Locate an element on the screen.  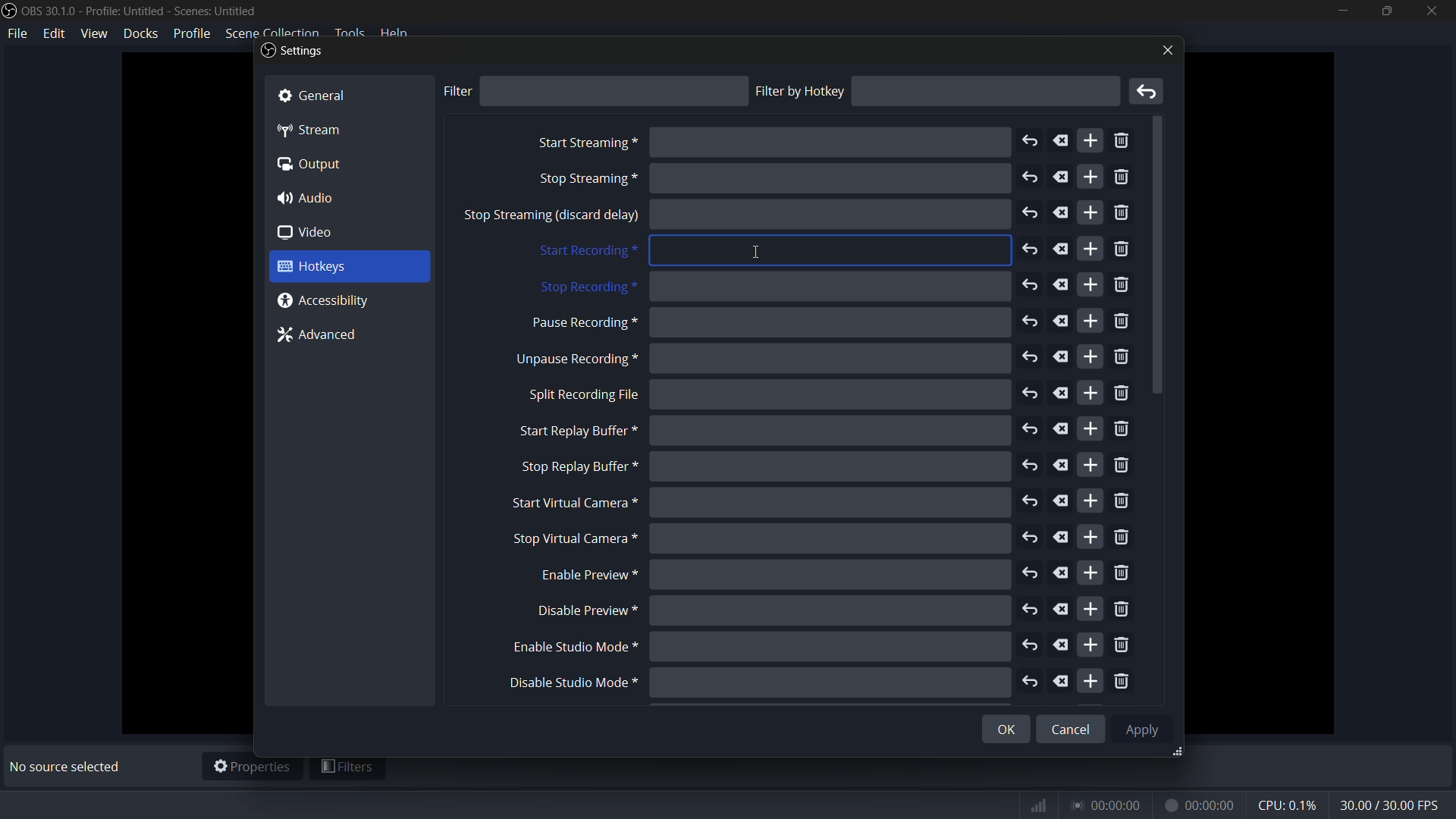
remove is located at coordinates (1123, 610).